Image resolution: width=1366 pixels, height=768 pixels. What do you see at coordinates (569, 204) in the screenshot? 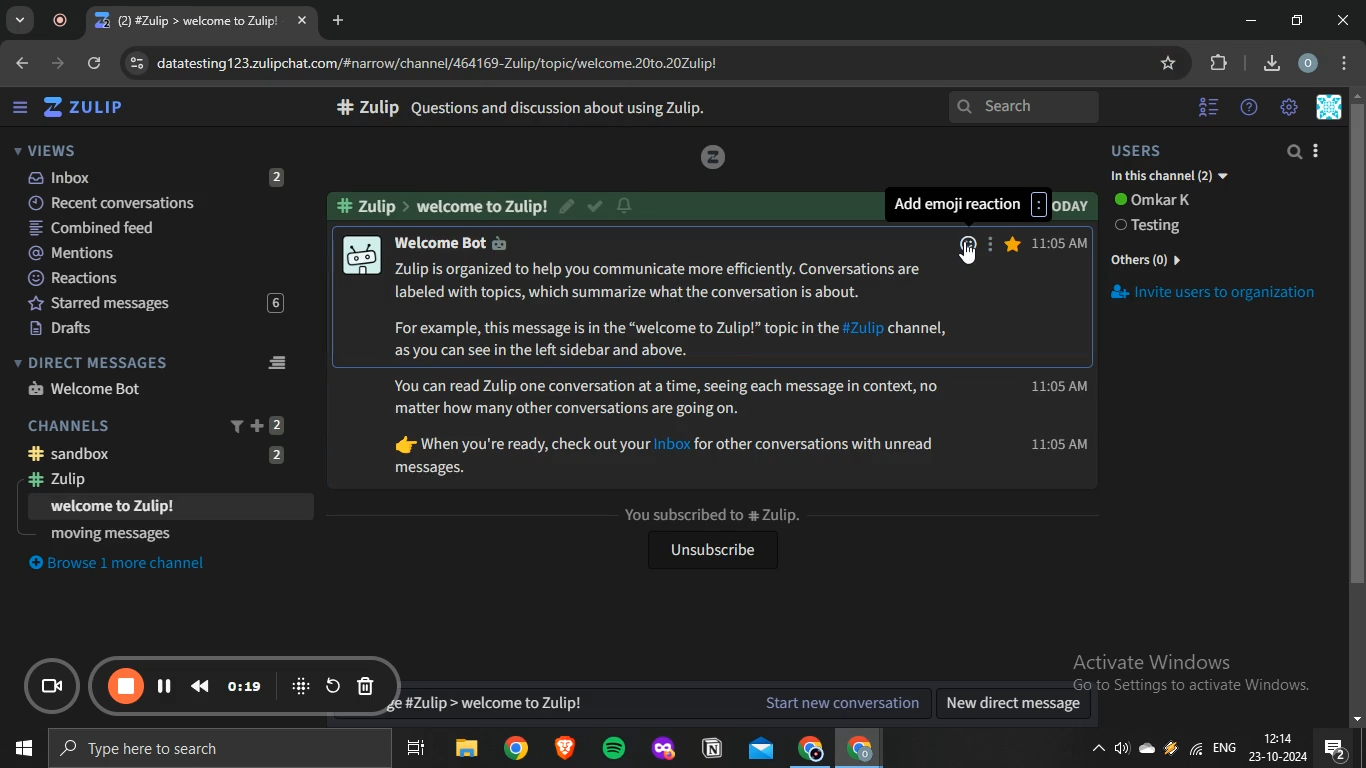
I see `edit` at bounding box center [569, 204].